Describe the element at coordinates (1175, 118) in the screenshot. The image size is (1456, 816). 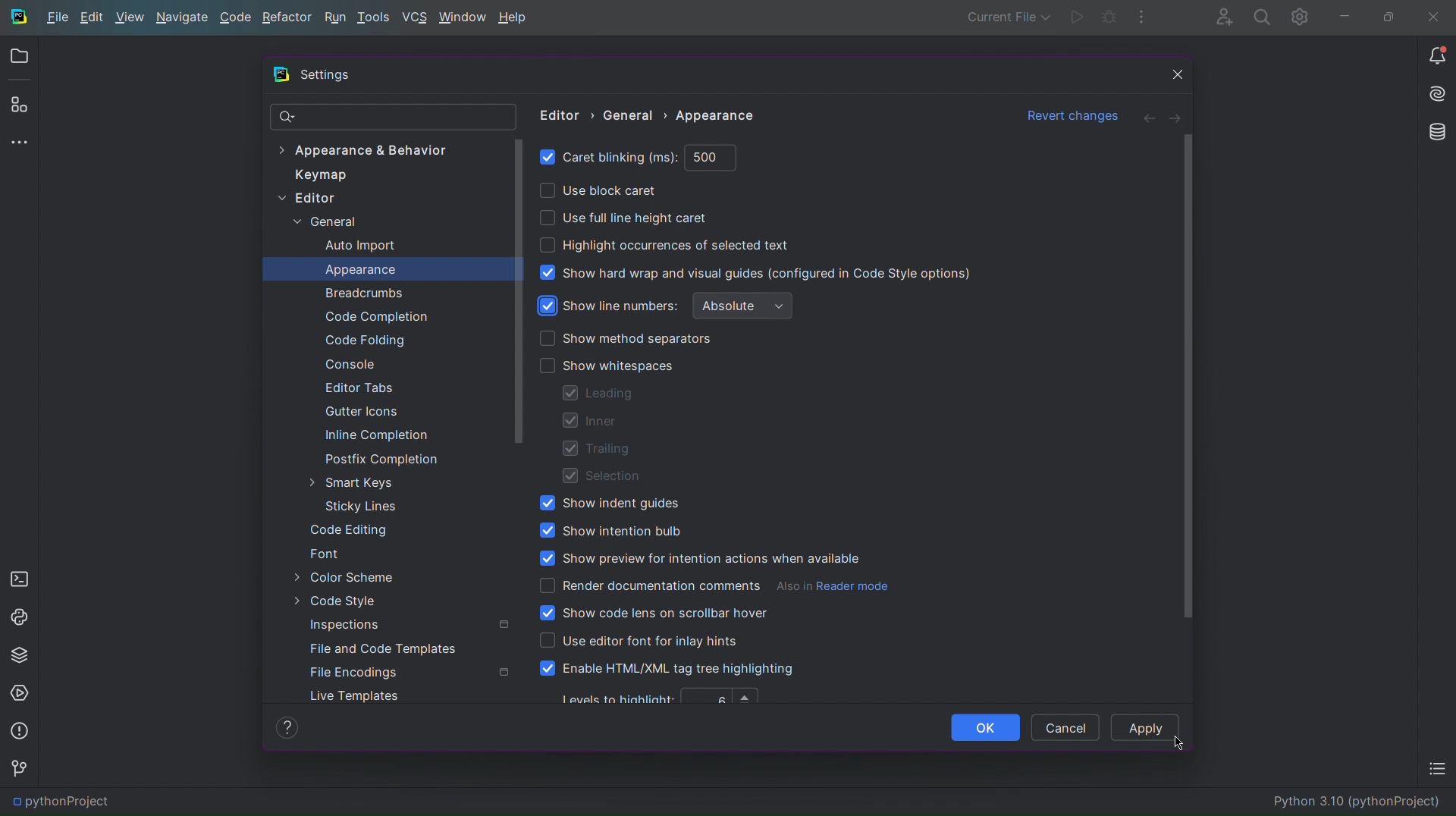
I see `Next` at that location.